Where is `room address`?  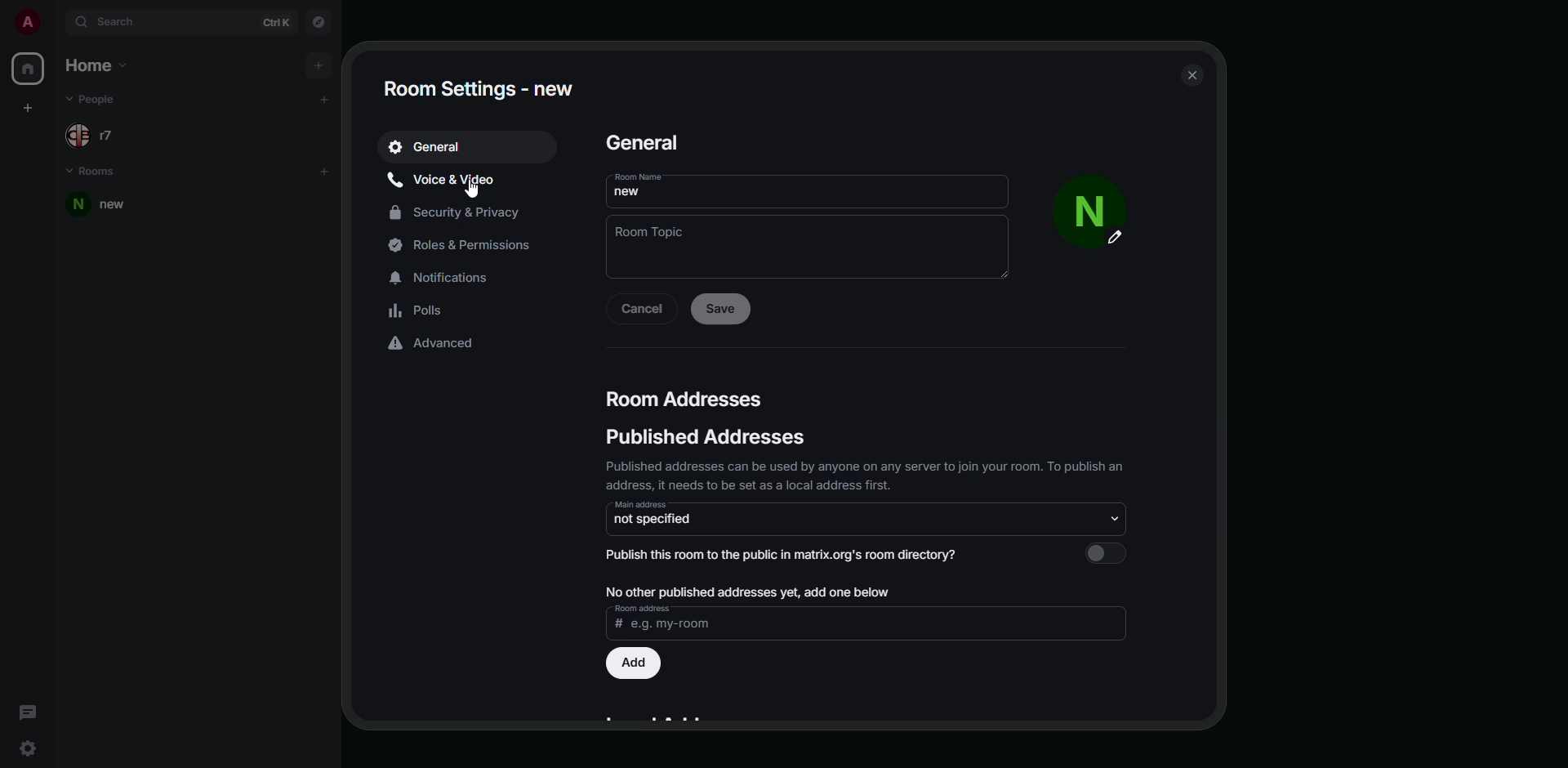 room address is located at coordinates (663, 620).